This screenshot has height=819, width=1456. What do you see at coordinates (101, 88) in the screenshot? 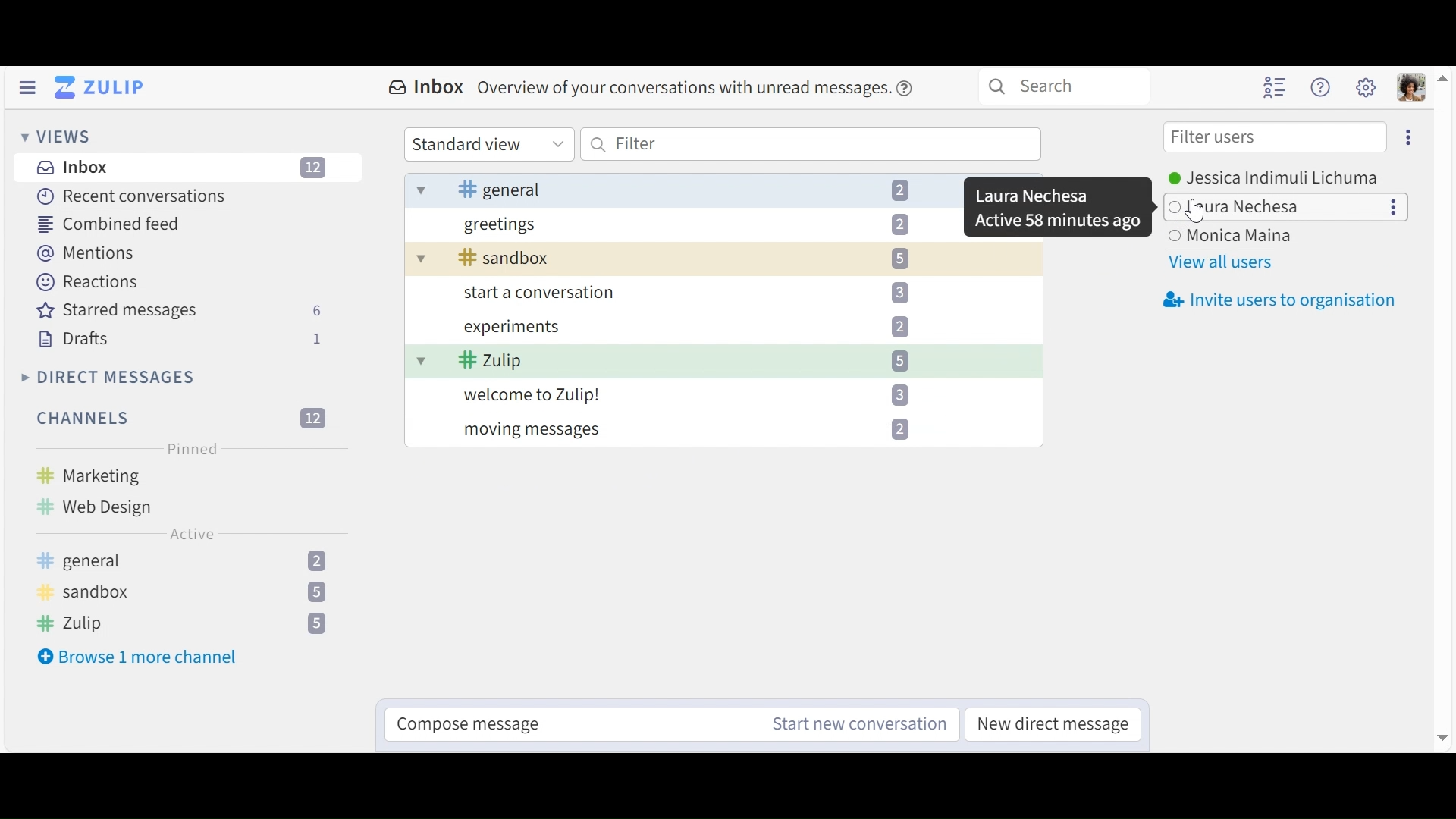
I see `Go to Home View (inbox)` at bounding box center [101, 88].